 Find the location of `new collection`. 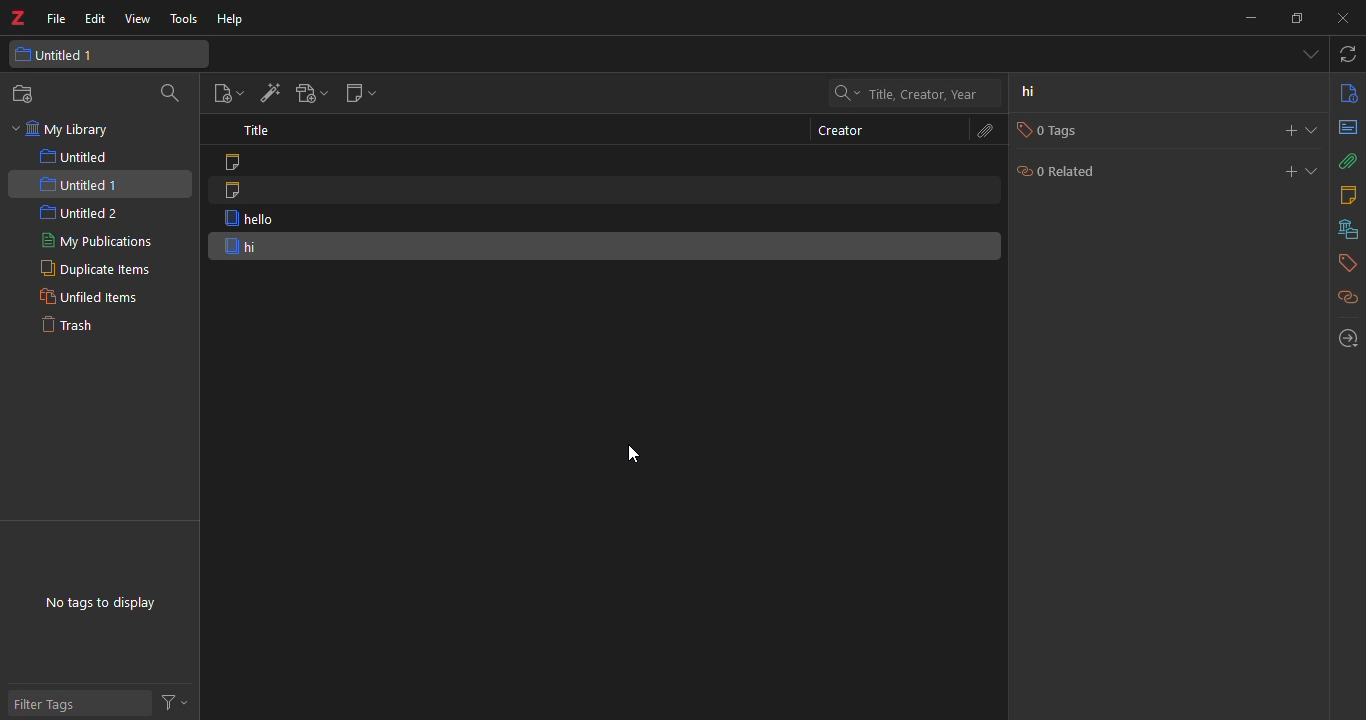

new collection is located at coordinates (26, 94).